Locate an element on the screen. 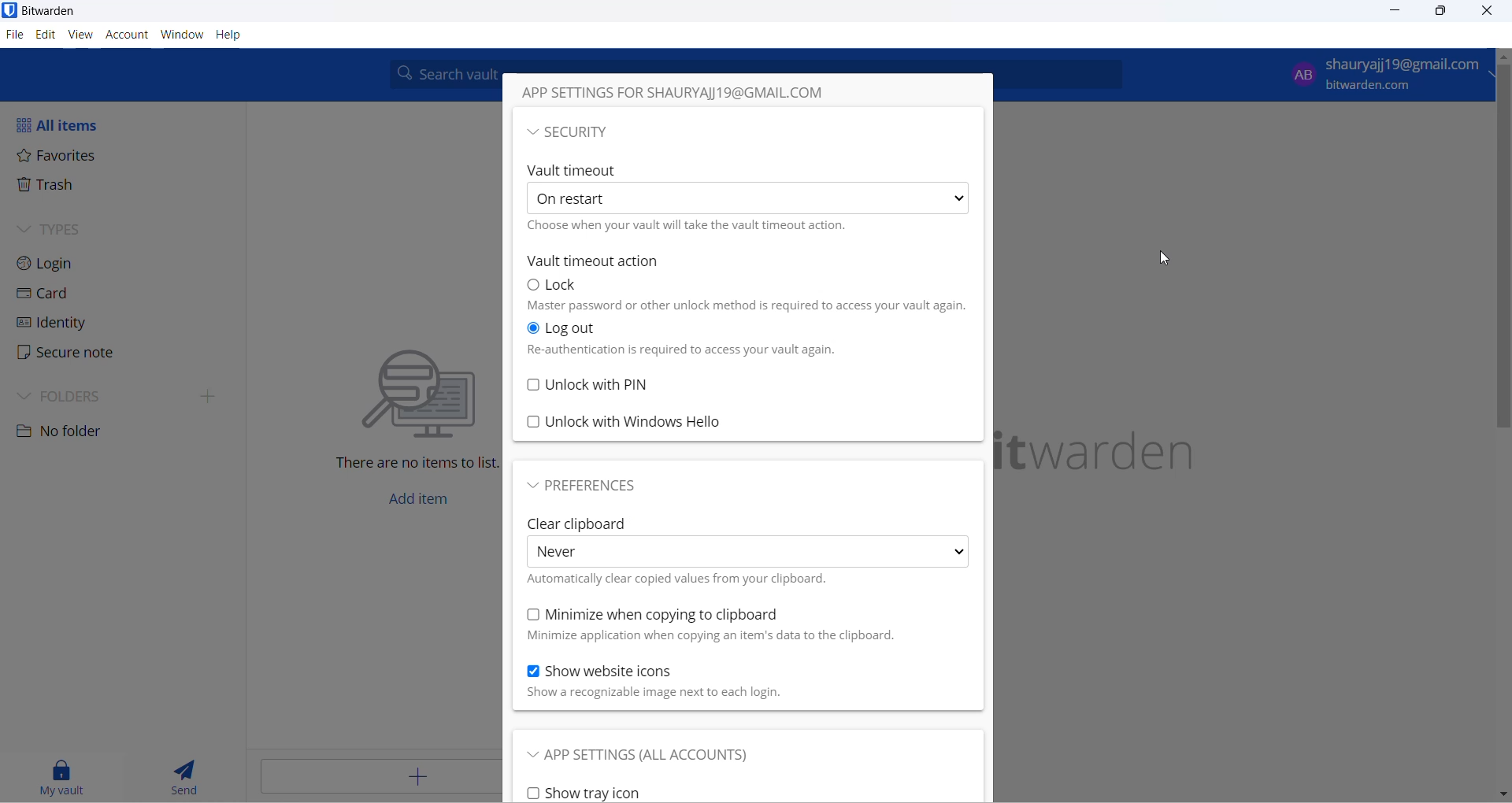 The width and height of the screenshot is (1512, 803). cursor is located at coordinates (1173, 260).